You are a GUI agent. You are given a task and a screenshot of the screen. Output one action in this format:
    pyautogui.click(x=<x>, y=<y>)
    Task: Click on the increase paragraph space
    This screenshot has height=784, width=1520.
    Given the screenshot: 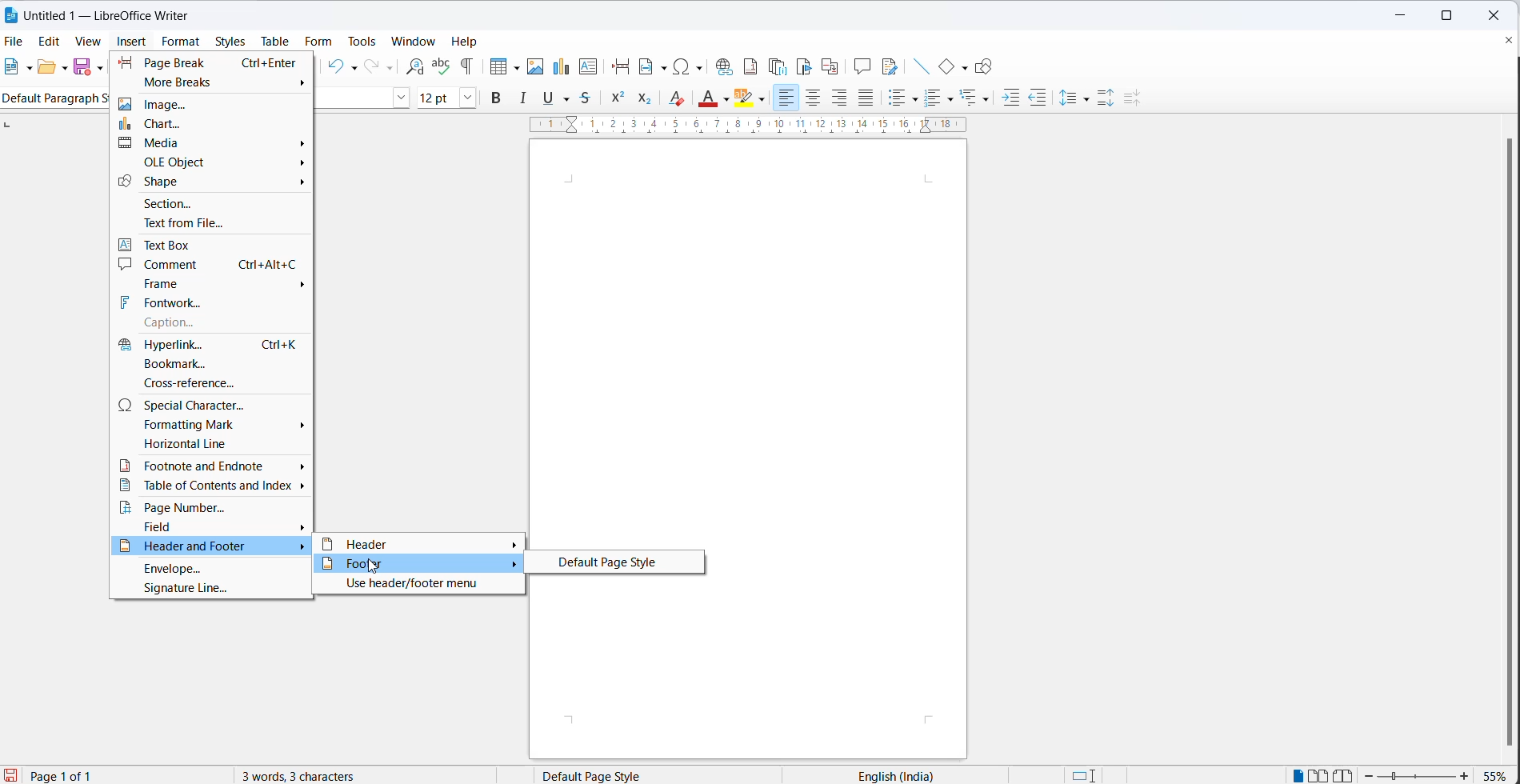 What is the action you would take?
    pyautogui.click(x=1106, y=96)
    